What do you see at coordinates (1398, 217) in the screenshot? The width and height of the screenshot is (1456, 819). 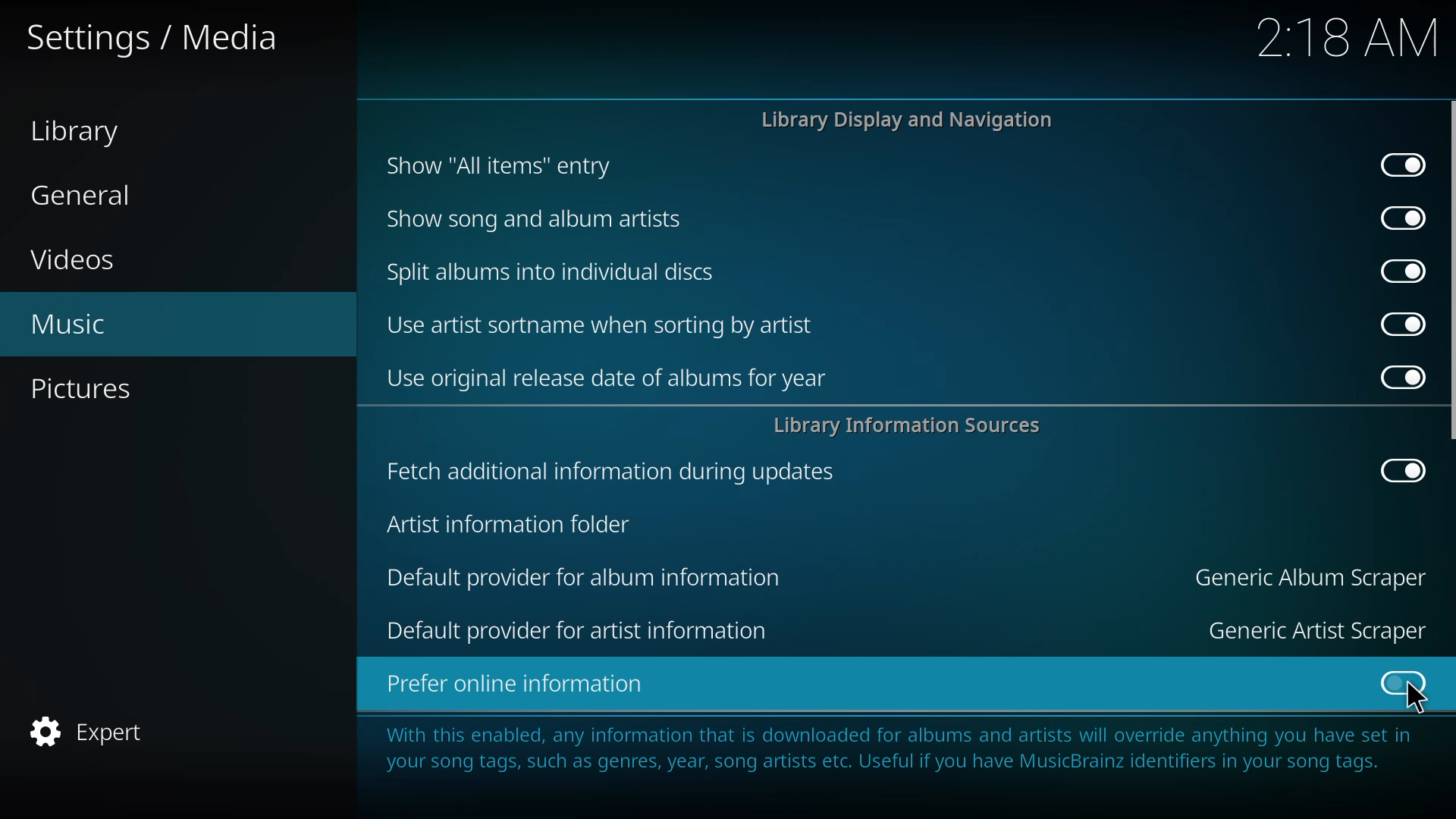 I see `enabled` at bounding box center [1398, 217].